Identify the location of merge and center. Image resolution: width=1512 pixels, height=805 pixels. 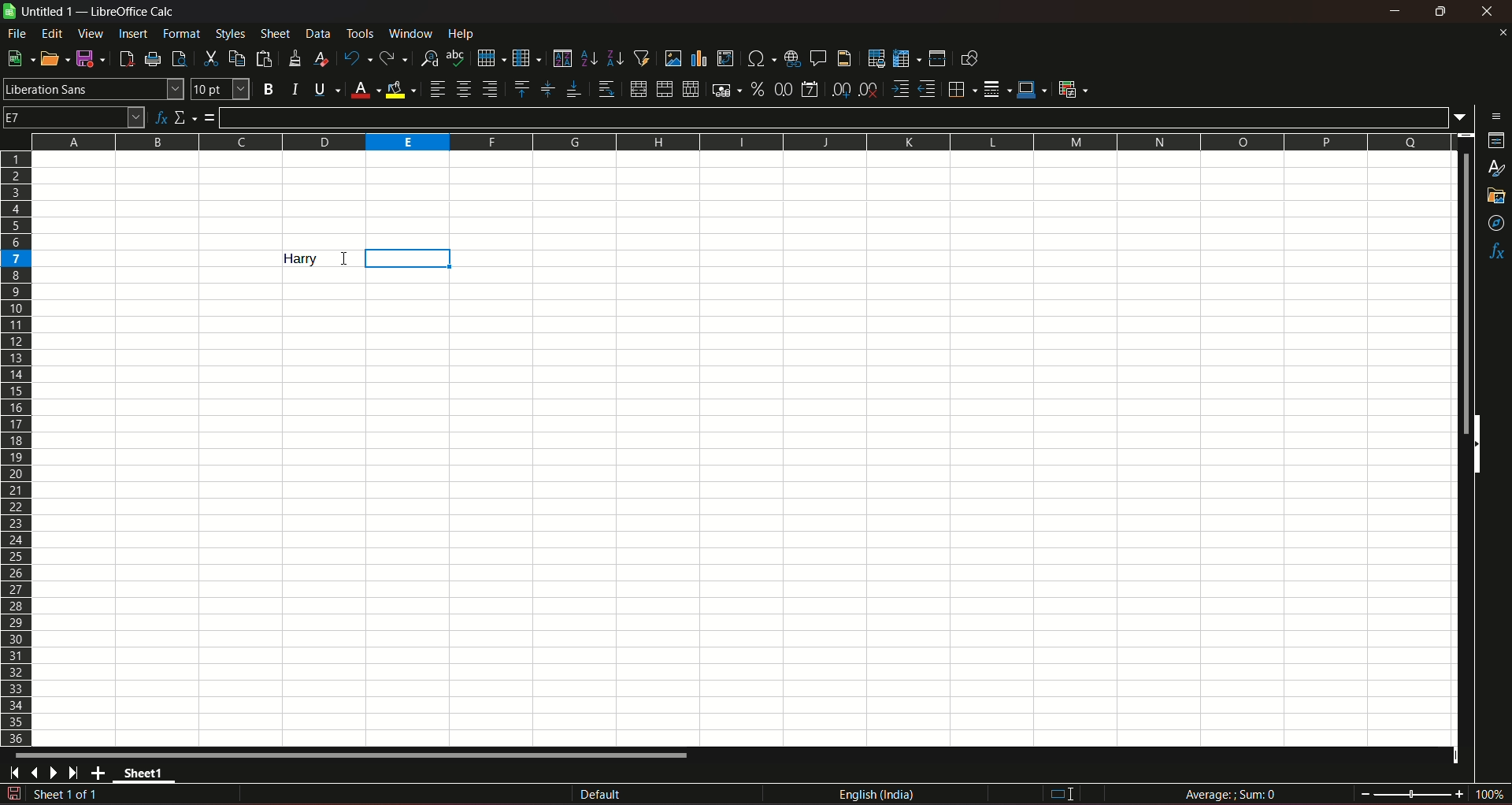
(637, 89).